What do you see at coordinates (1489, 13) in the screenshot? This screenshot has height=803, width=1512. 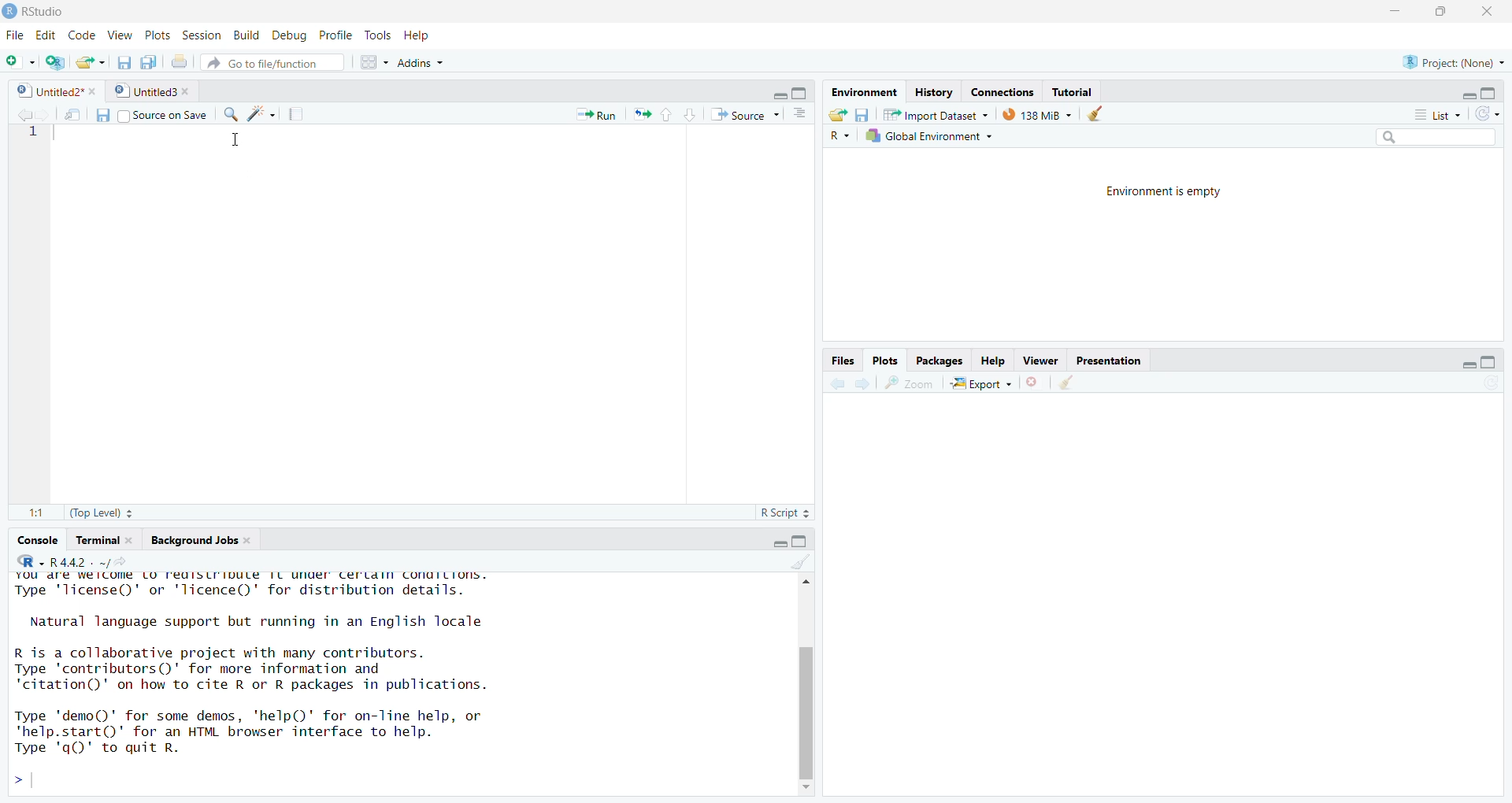 I see `close` at bounding box center [1489, 13].